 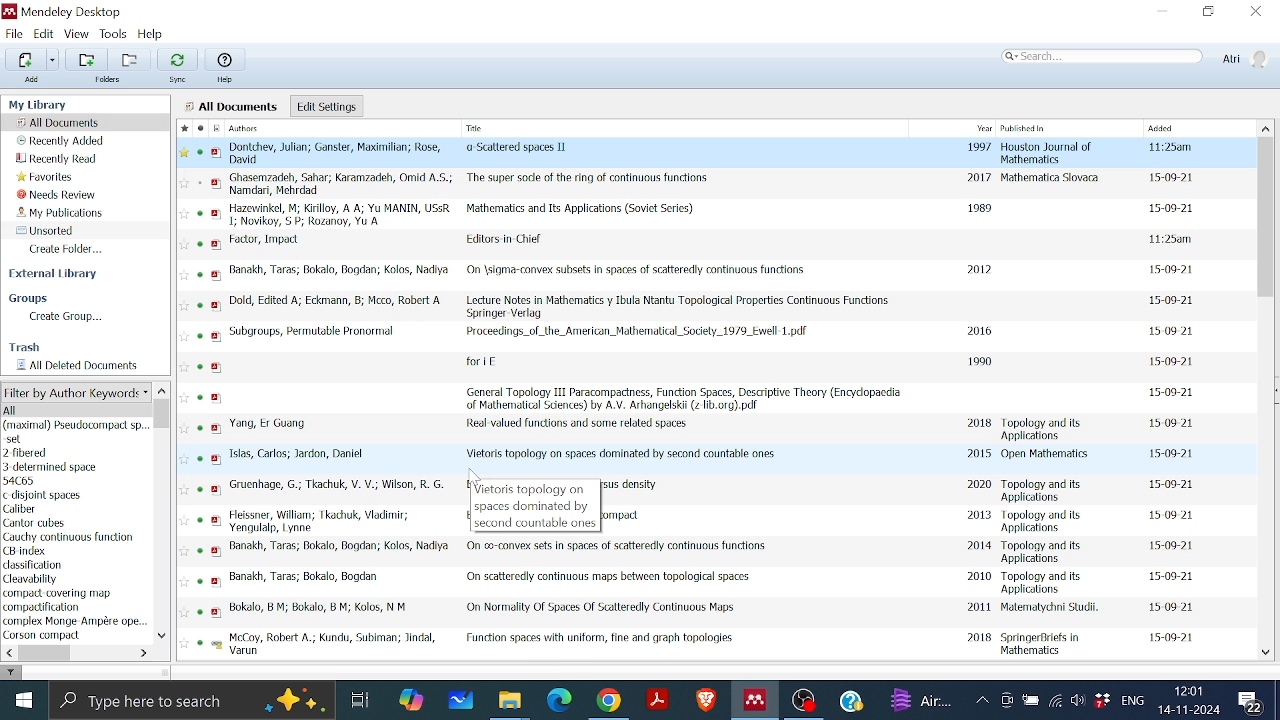 What do you see at coordinates (976, 608) in the screenshot?
I see `2011` at bounding box center [976, 608].